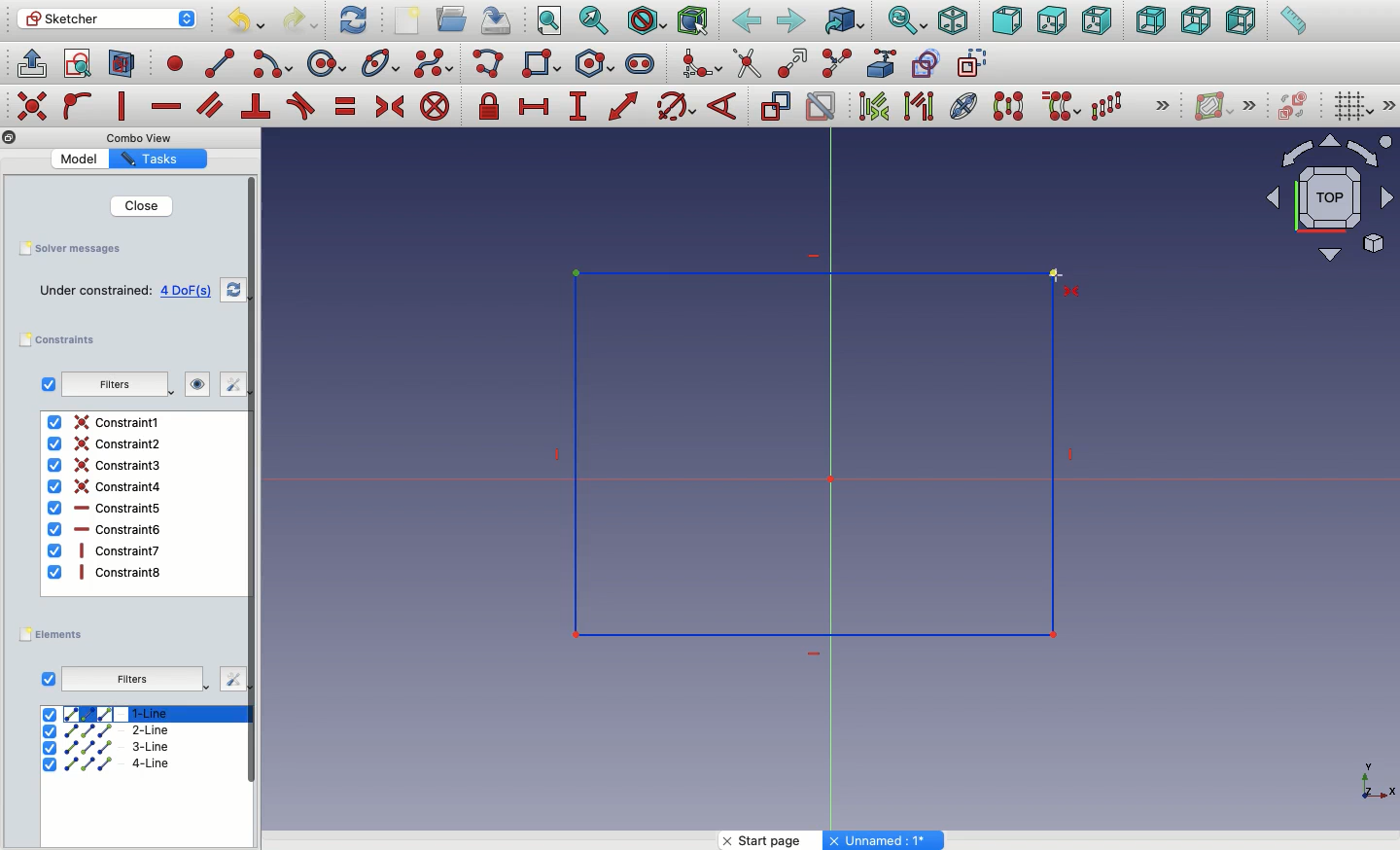  What do you see at coordinates (454, 19) in the screenshot?
I see `Open` at bounding box center [454, 19].